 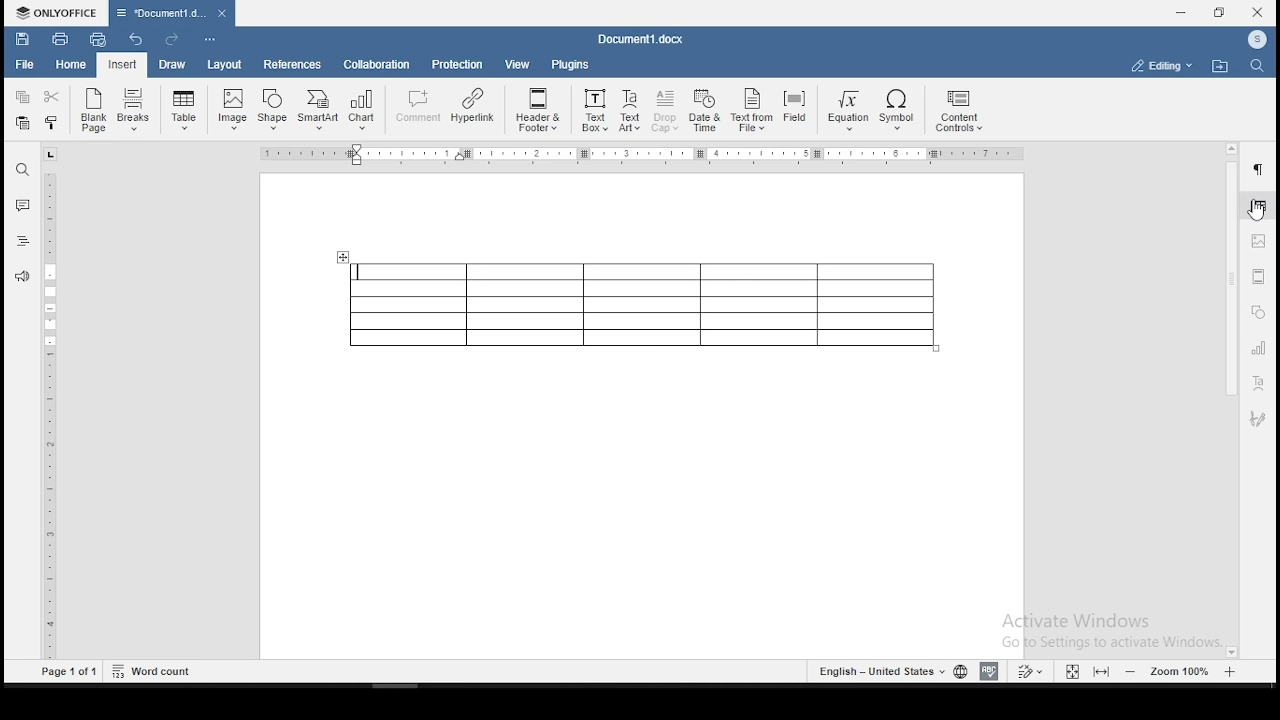 What do you see at coordinates (21, 37) in the screenshot?
I see `save` at bounding box center [21, 37].